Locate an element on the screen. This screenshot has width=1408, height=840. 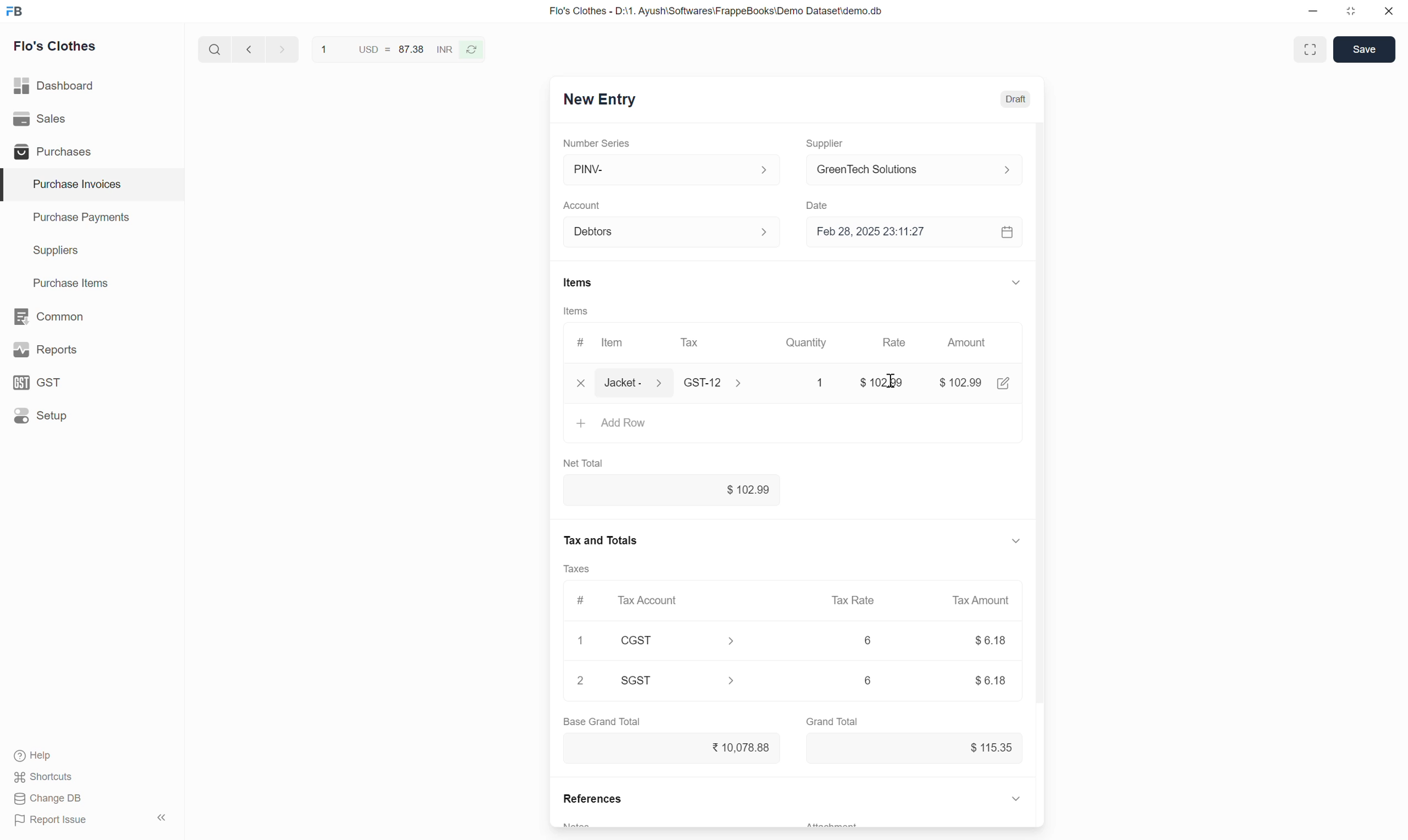
1 is located at coordinates (810, 383).